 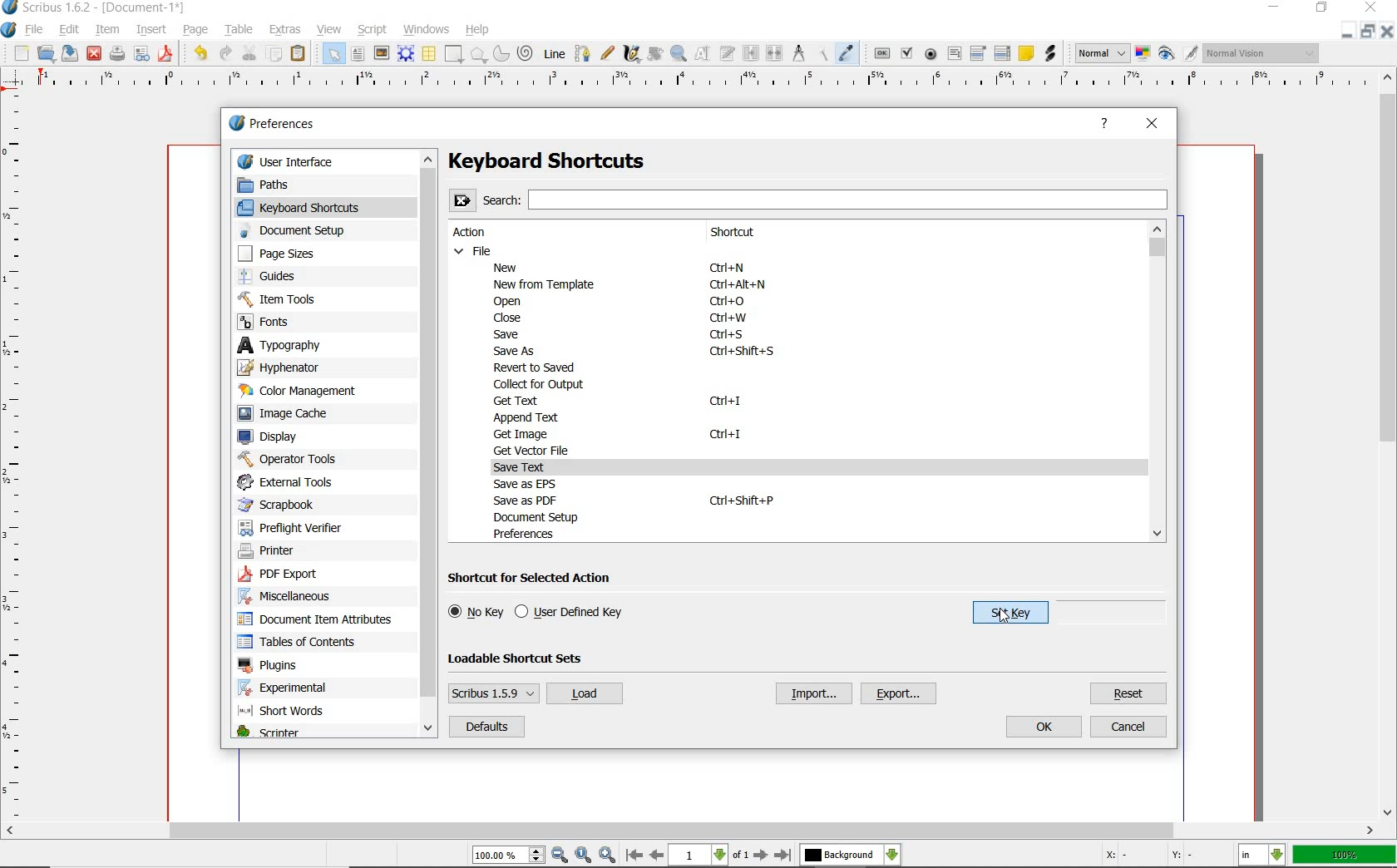 I want to click on short words, so click(x=286, y=713).